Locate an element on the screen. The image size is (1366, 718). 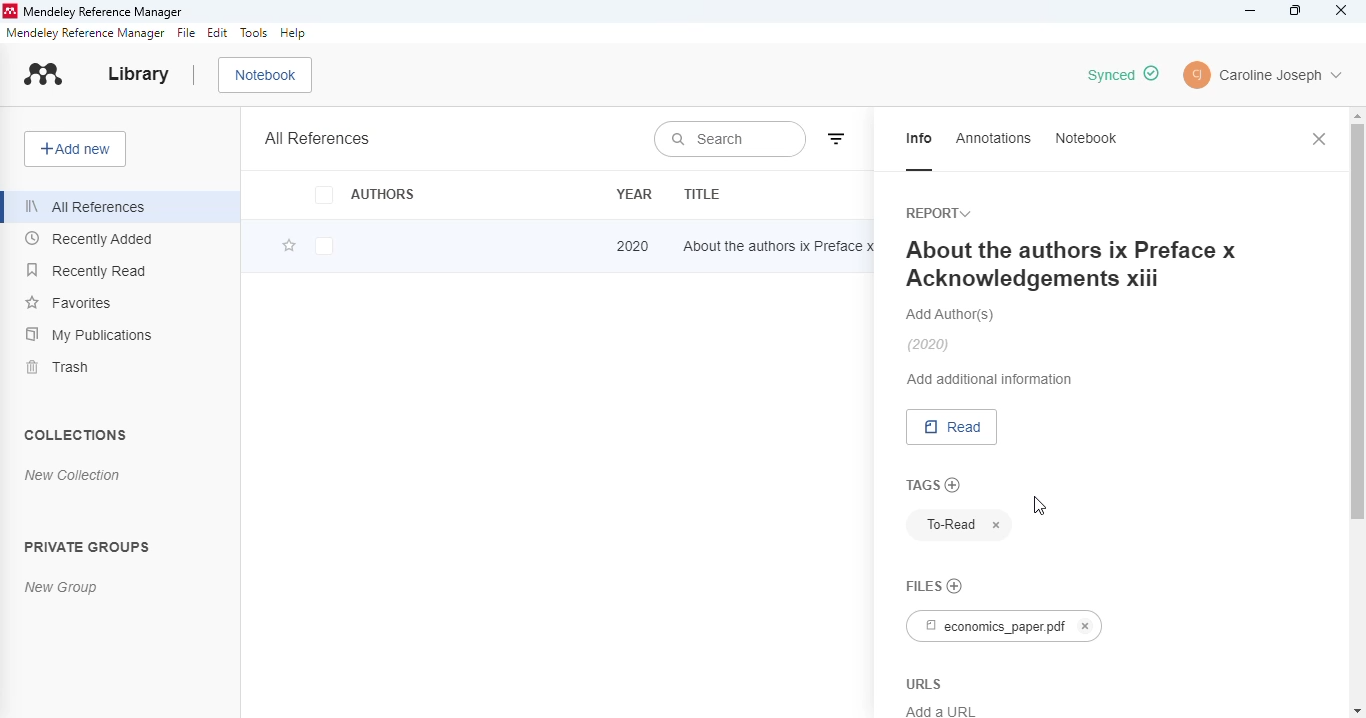
close is located at coordinates (1341, 10).